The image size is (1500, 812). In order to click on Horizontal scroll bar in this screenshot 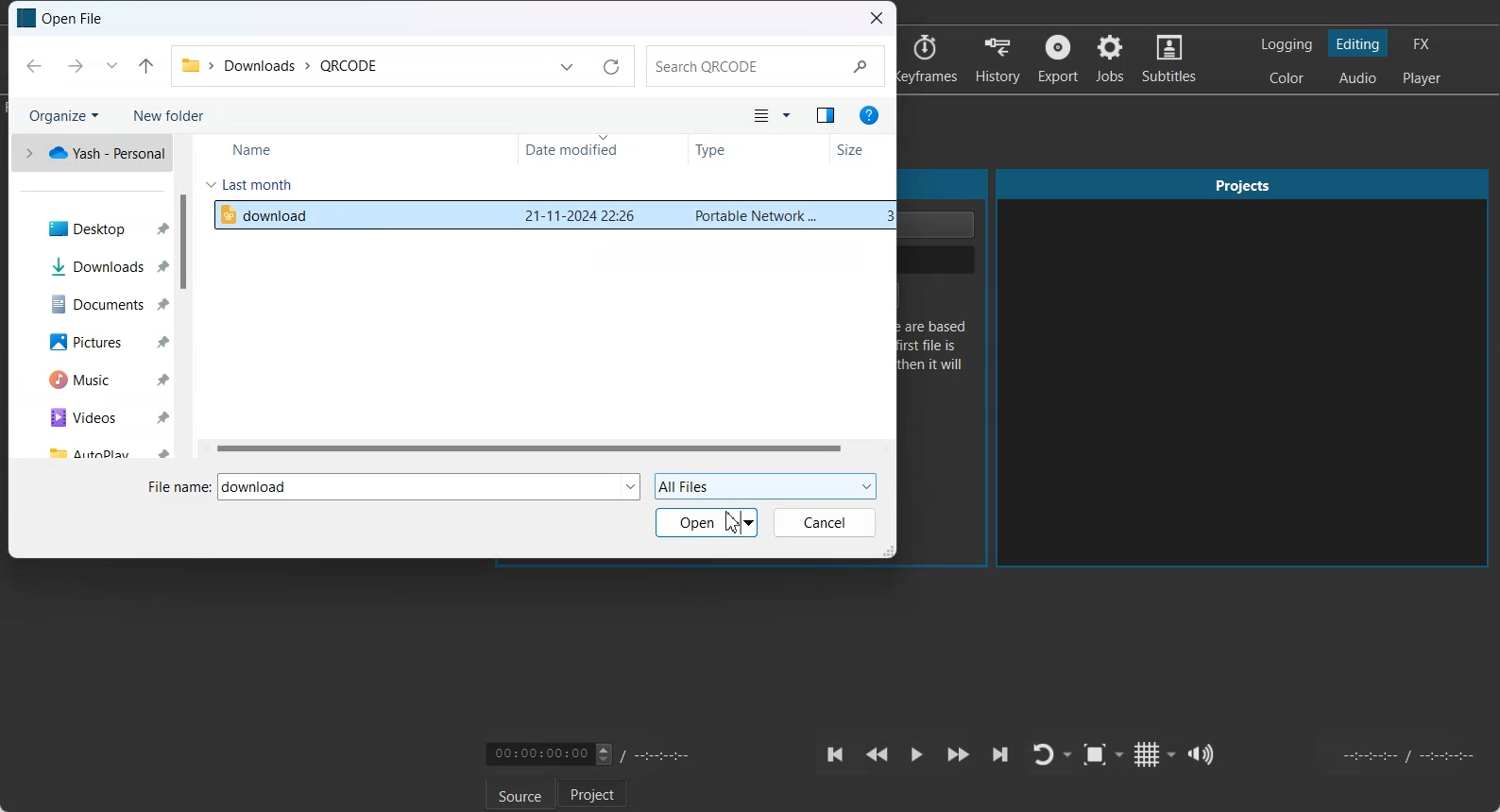, I will do `click(526, 450)`.